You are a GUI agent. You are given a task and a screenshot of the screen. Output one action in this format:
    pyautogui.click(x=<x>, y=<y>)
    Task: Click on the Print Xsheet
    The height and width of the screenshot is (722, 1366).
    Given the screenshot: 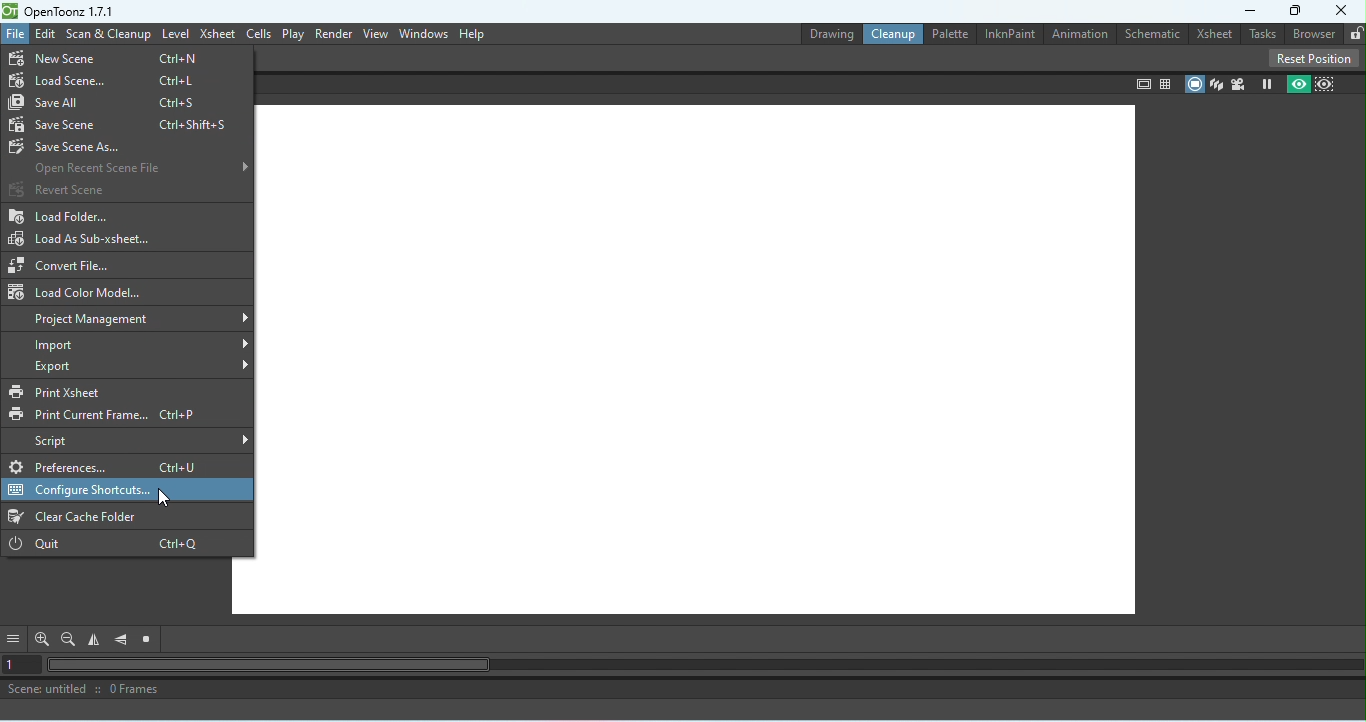 What is the action you would take?
    pyautogui.click(x=70, y=391)
    